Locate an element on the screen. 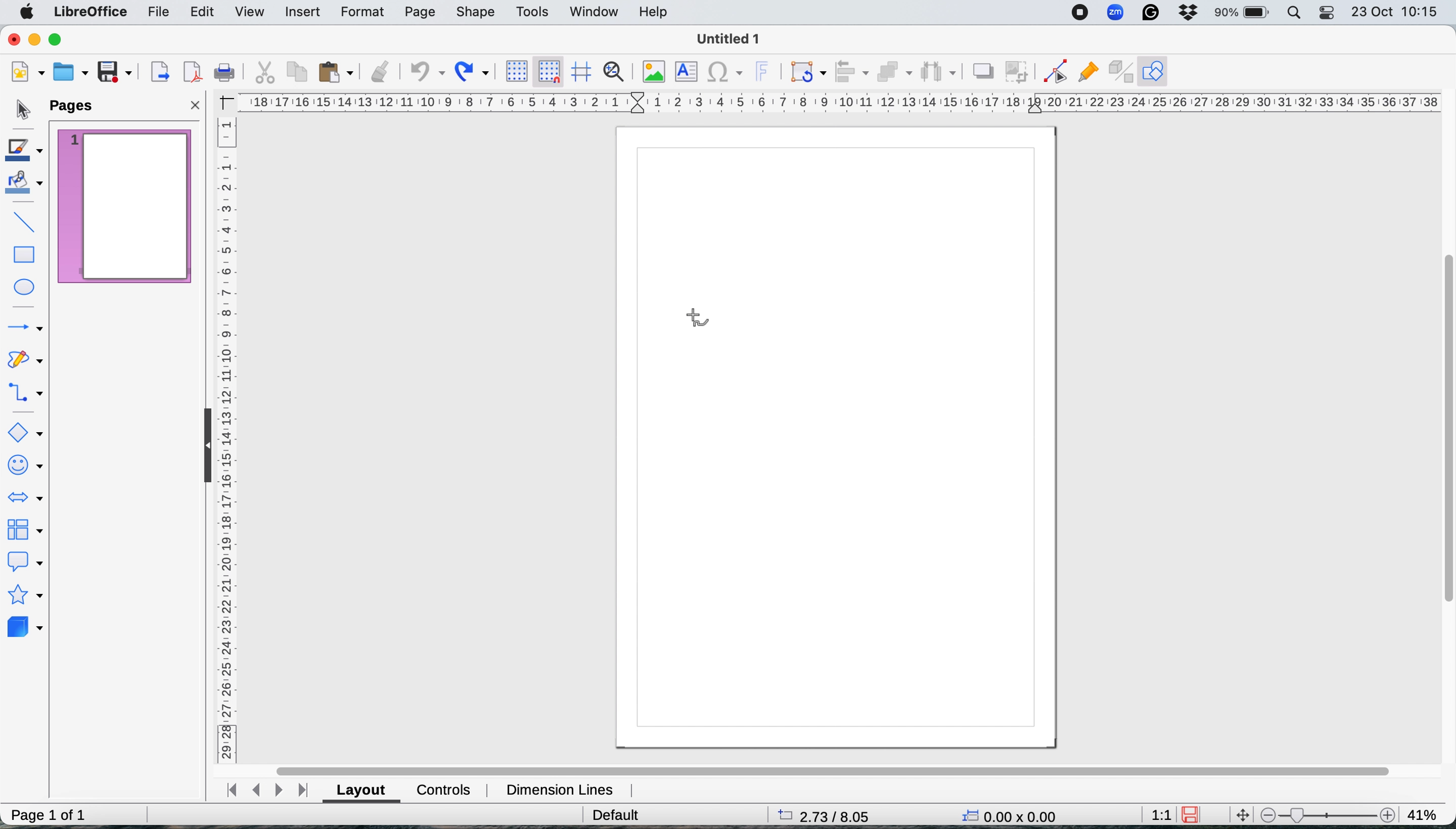 The image size is (1456, 829). default is located at coordinates (616, 814).